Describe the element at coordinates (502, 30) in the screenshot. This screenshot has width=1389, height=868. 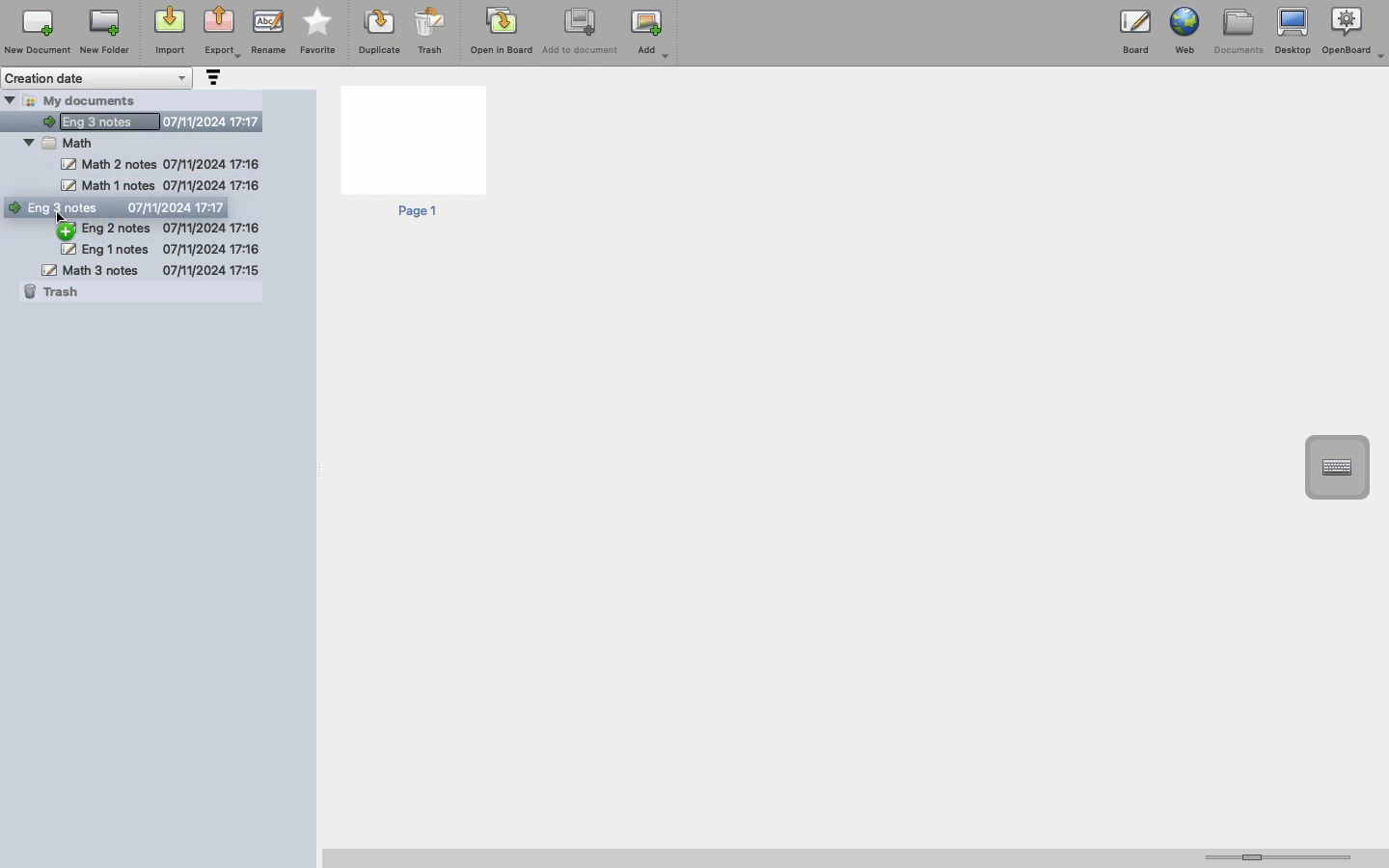
I see `Open in board` at that location.